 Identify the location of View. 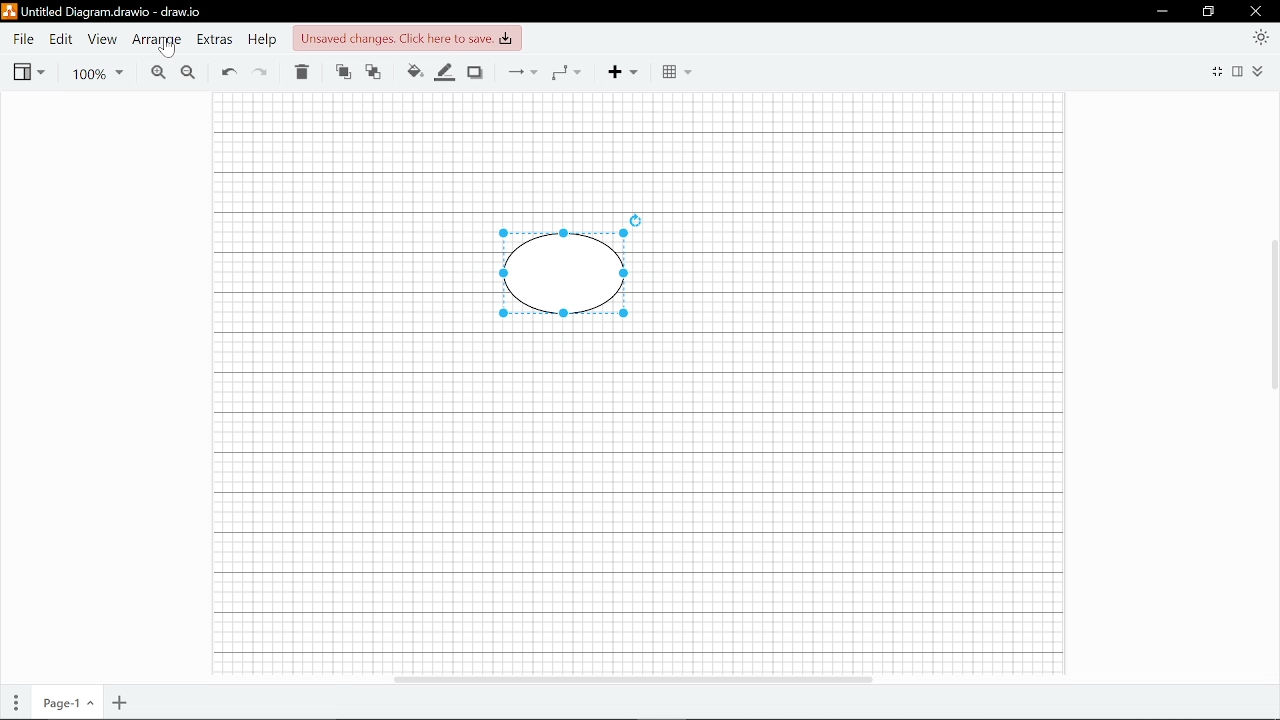
(102, 40).